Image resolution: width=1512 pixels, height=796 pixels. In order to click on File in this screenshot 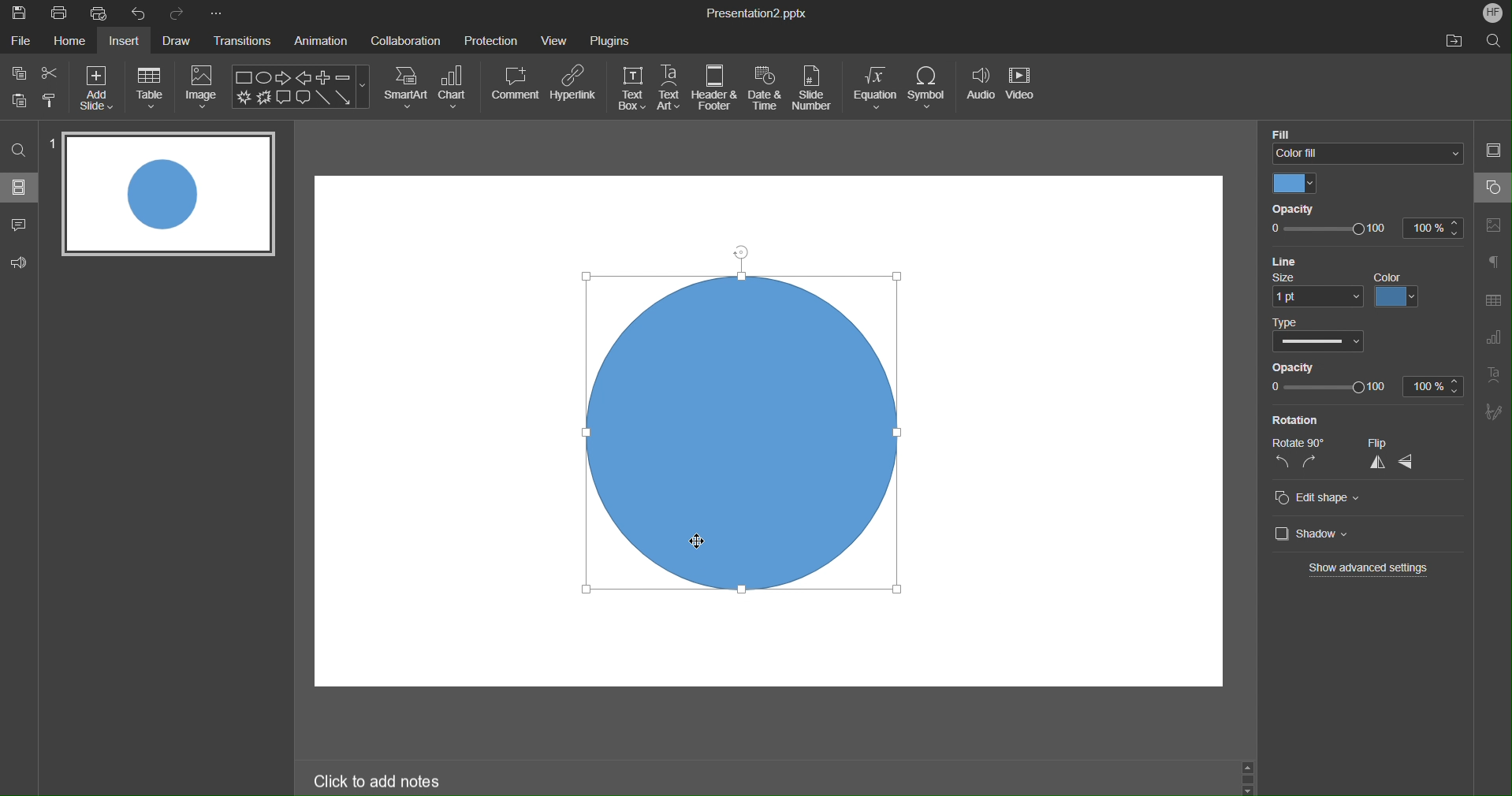, I will do `click(20, 42)`.